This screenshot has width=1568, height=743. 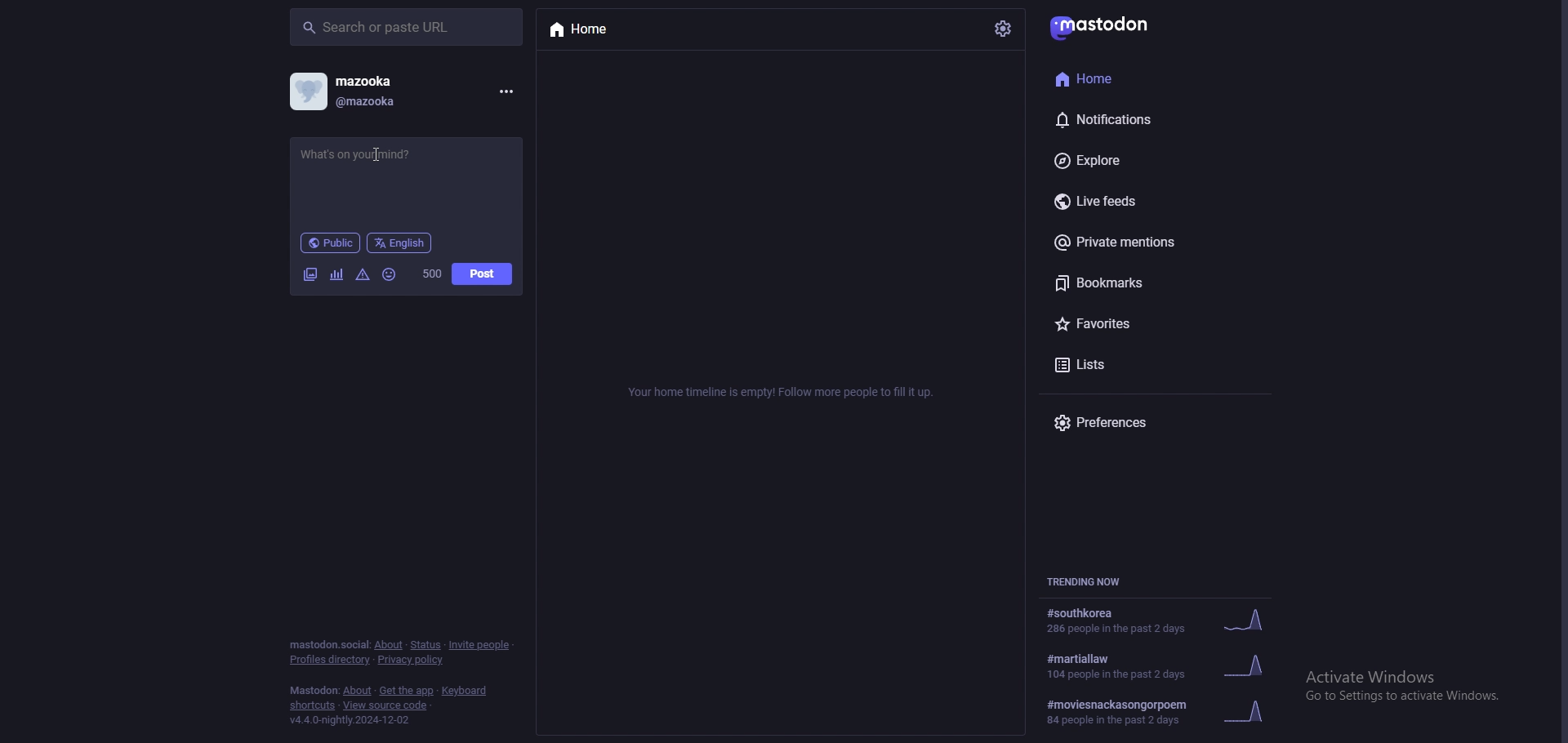 What do you see at coordinates (400, 242) in the screenshot?
I see `language` at bounding box center [400, 242].